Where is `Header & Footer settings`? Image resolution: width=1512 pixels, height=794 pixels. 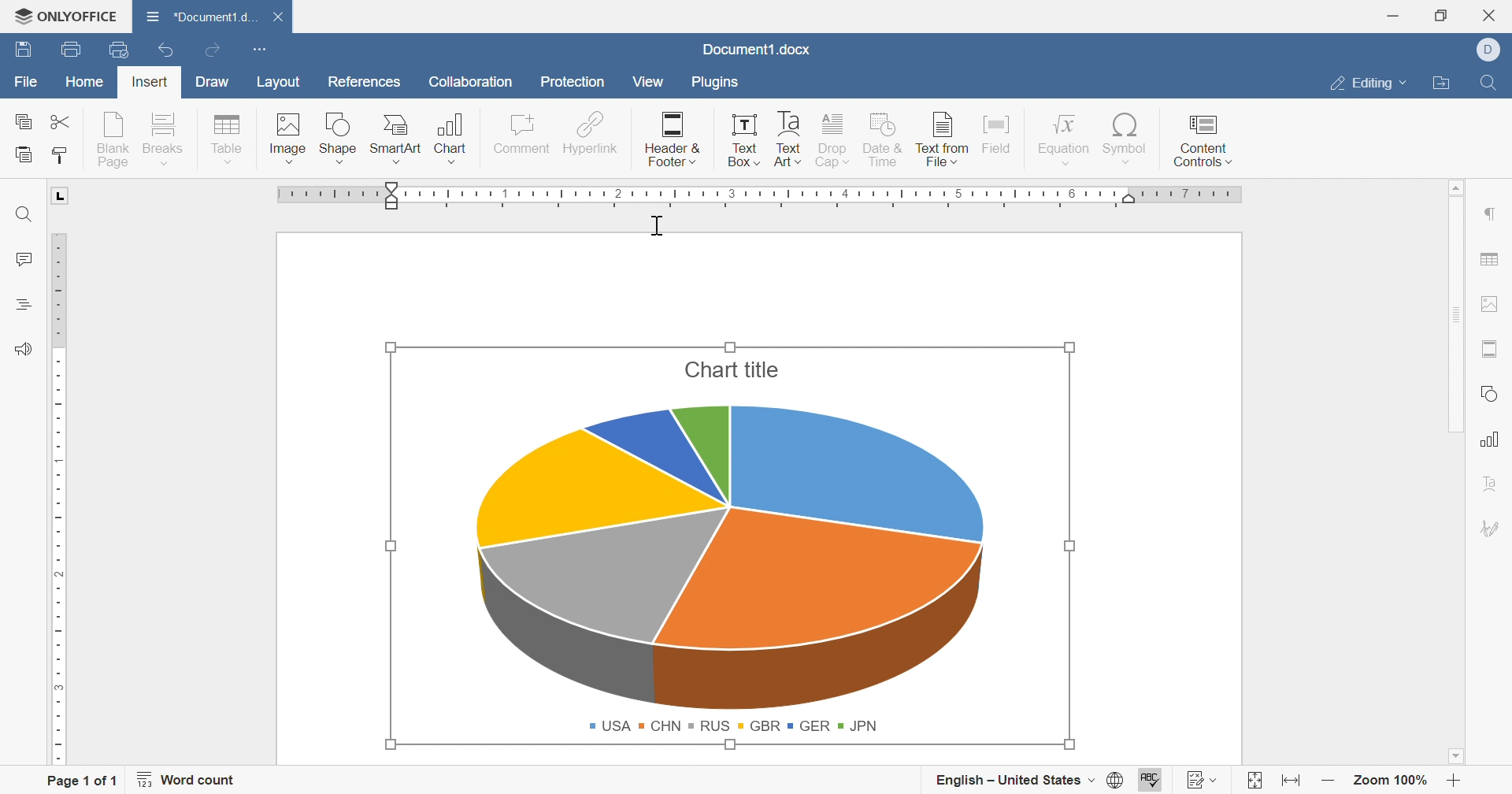
Header & Footer settings is located at coordinates (1494, 348).